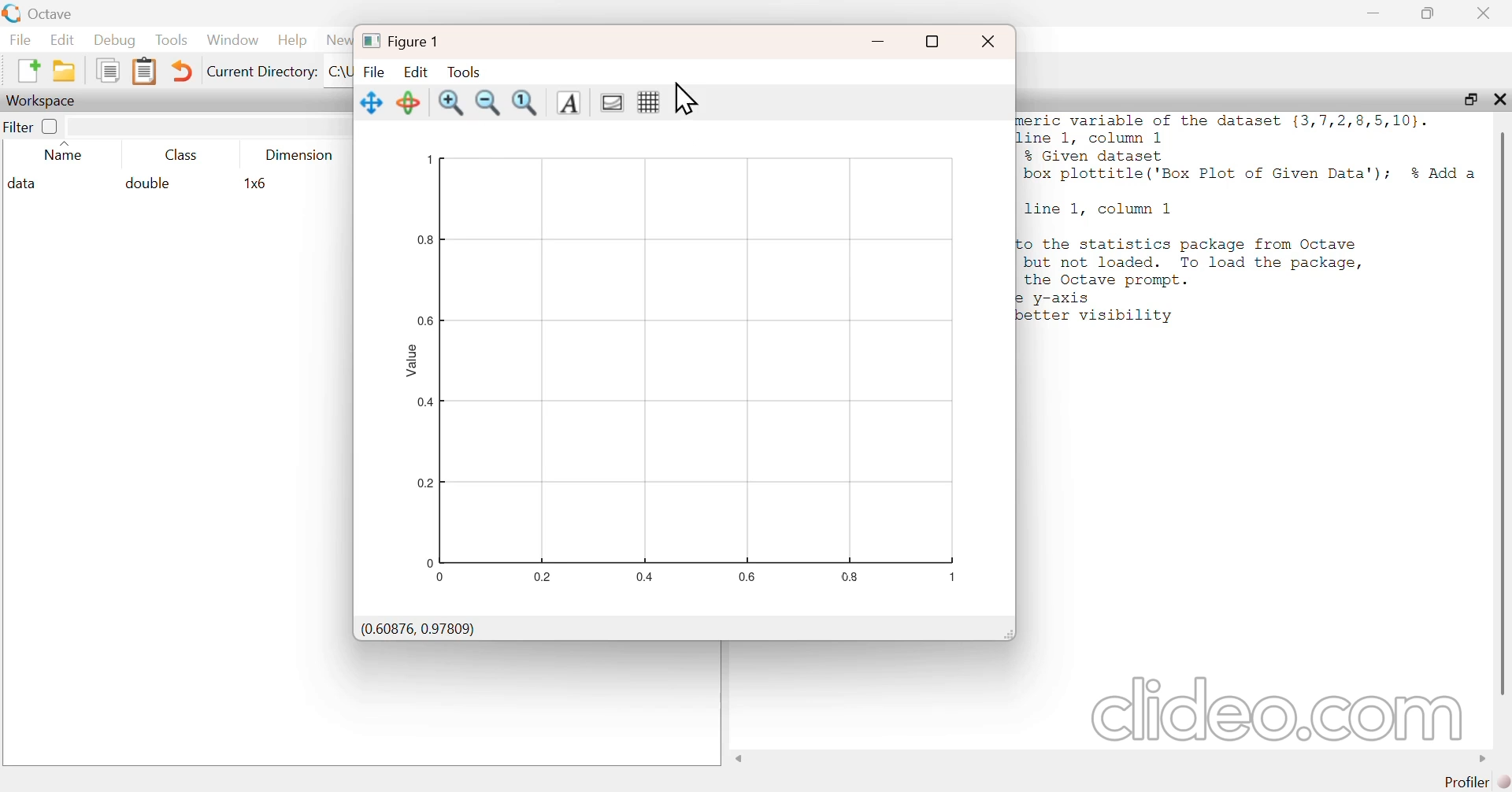  Describe the element at coordinates (528, 103) in the screenshot. I see `reset zoom` at that location.